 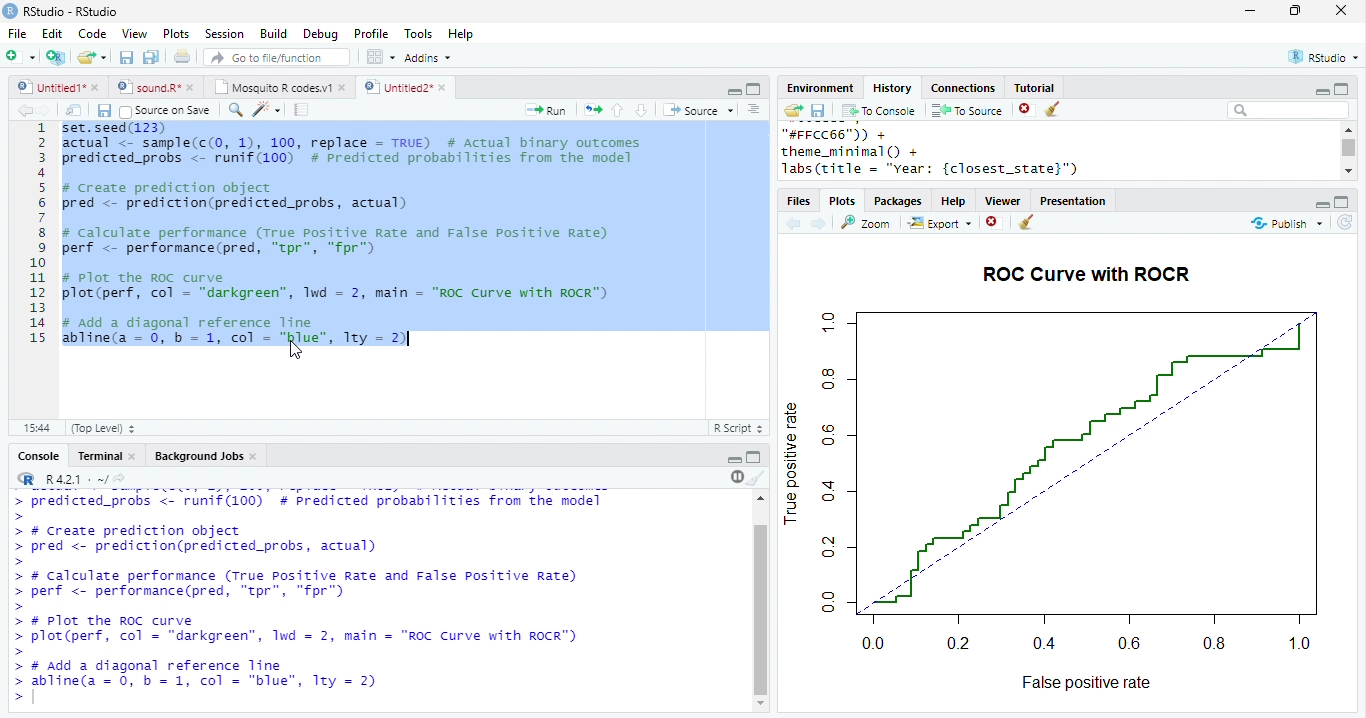 What do you see at coordinates (228, 540) in the screenshot?
I see `>> # Create prediction object> pred <- prediction(predicted_probs, actual)>` at bounding box center [228, 540].